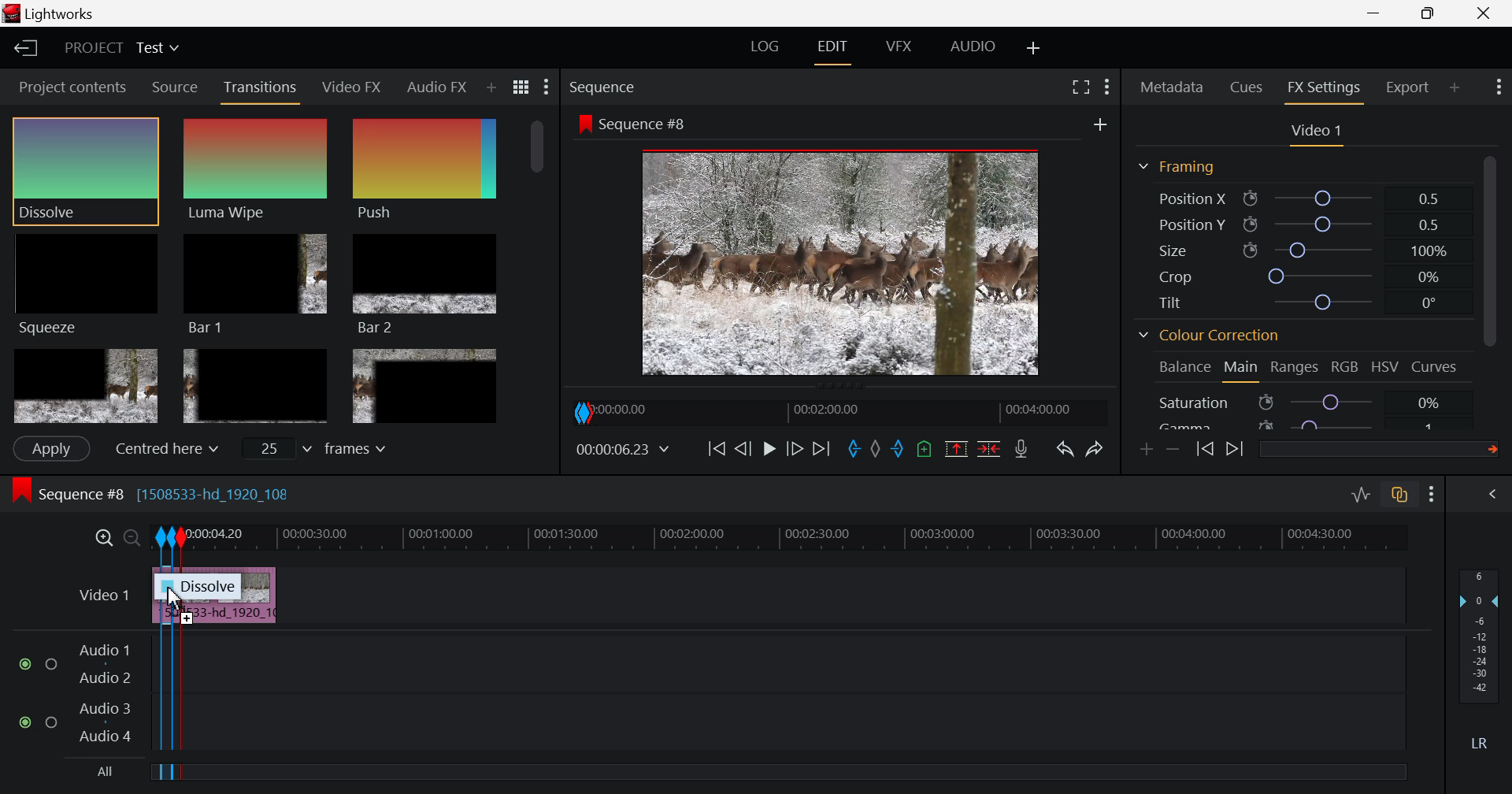  I want to click on Scroll Bar, so click(539, 270).